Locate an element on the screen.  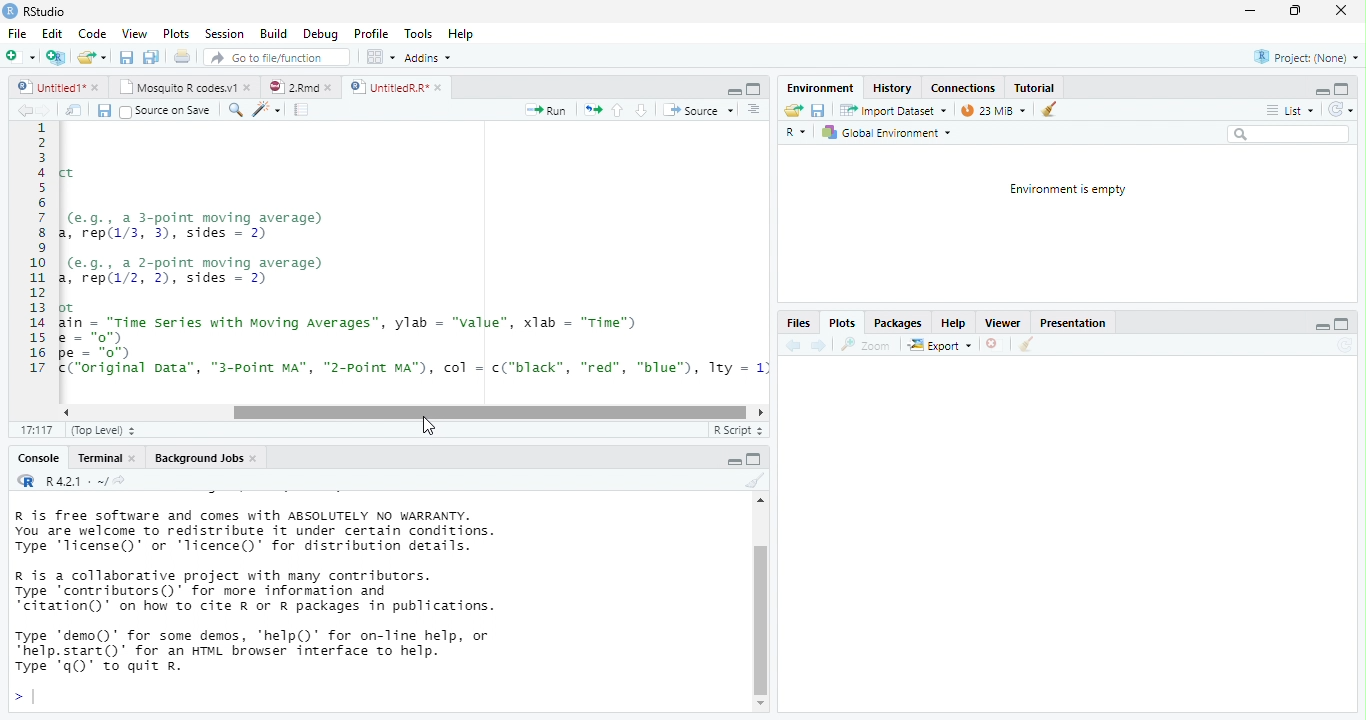
maximize is located at coordinates (754, 89).